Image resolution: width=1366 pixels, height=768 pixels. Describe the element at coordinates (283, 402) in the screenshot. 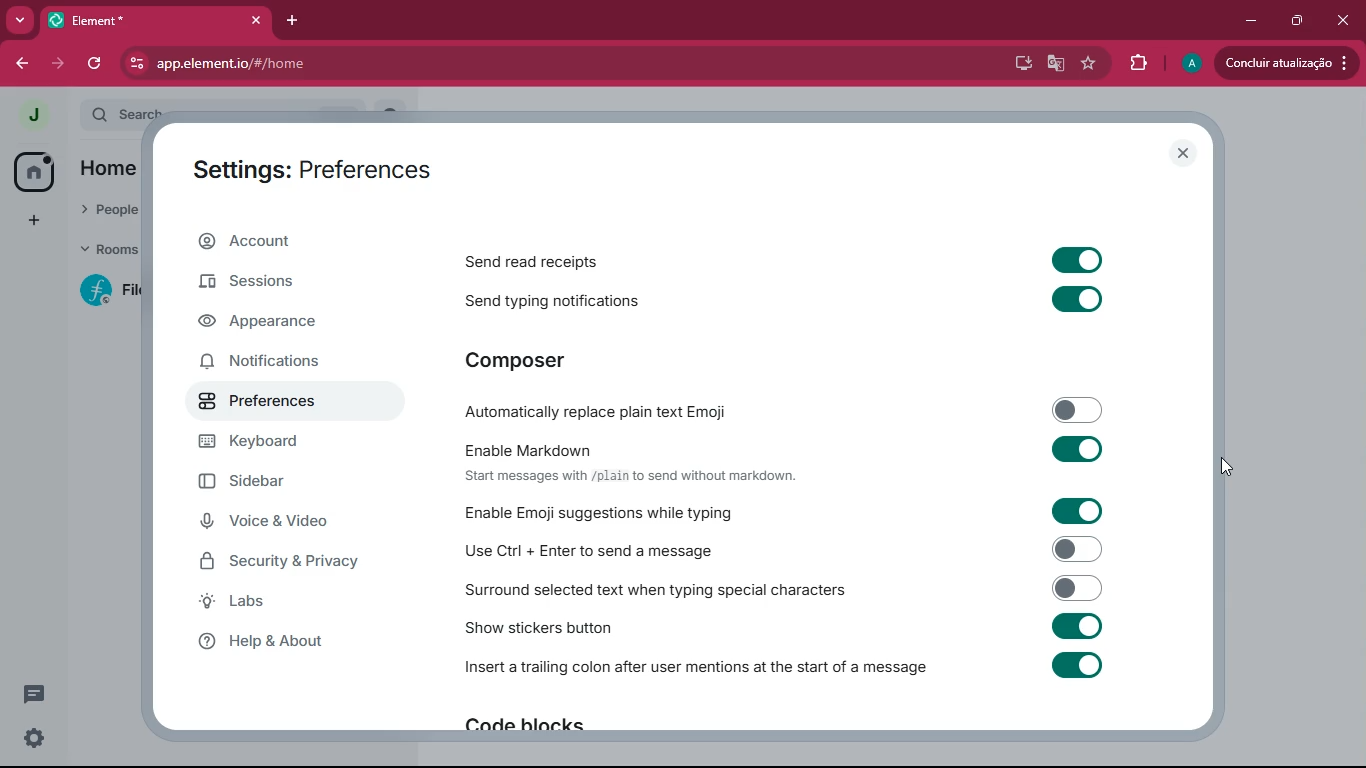

I see `preferences` at that location.